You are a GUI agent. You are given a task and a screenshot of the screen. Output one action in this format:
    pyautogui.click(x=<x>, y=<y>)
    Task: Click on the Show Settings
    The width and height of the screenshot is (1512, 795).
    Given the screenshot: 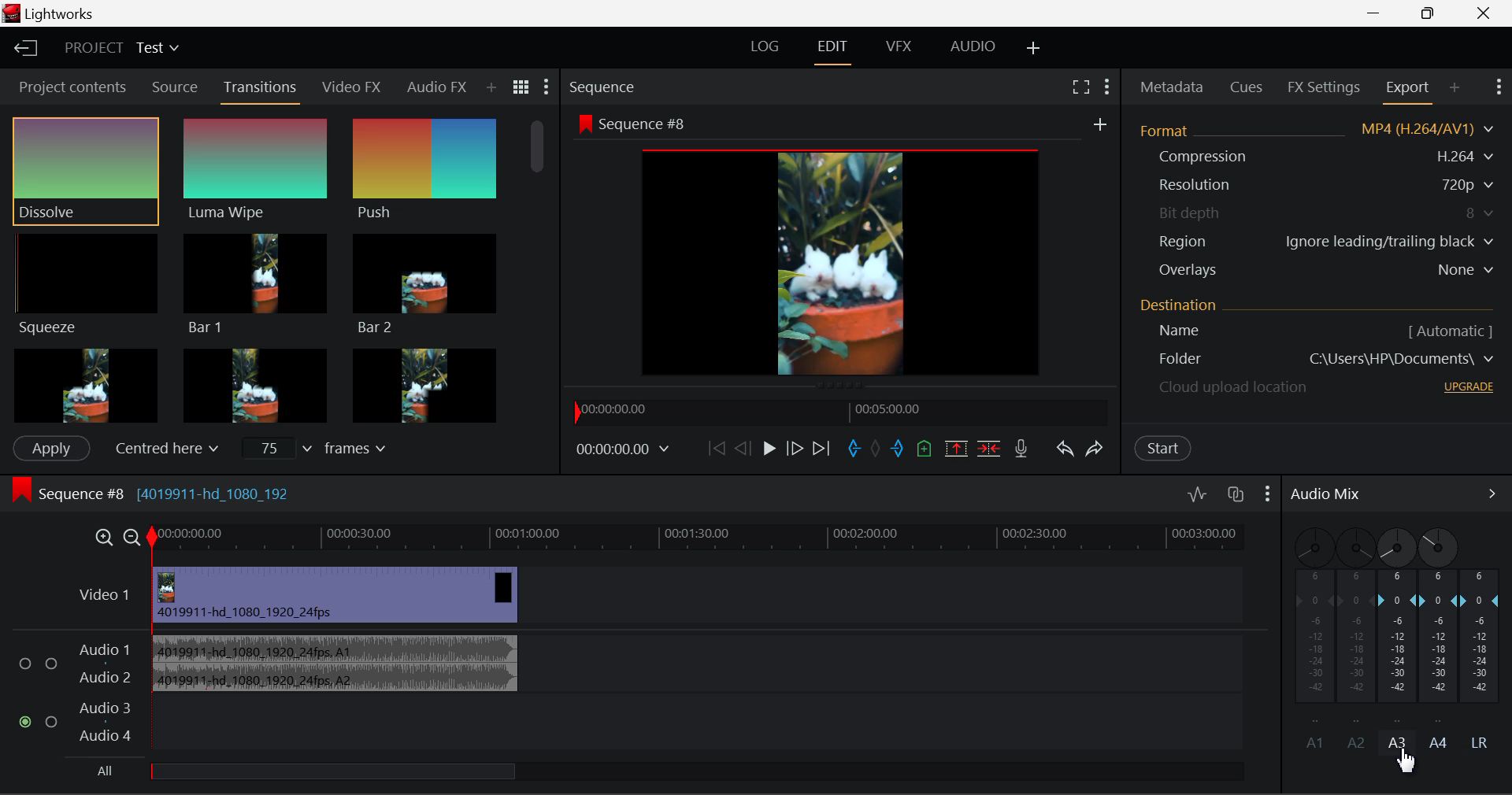 What is the action you would take?
    pyautogui.click(x=1109, y=83)
    